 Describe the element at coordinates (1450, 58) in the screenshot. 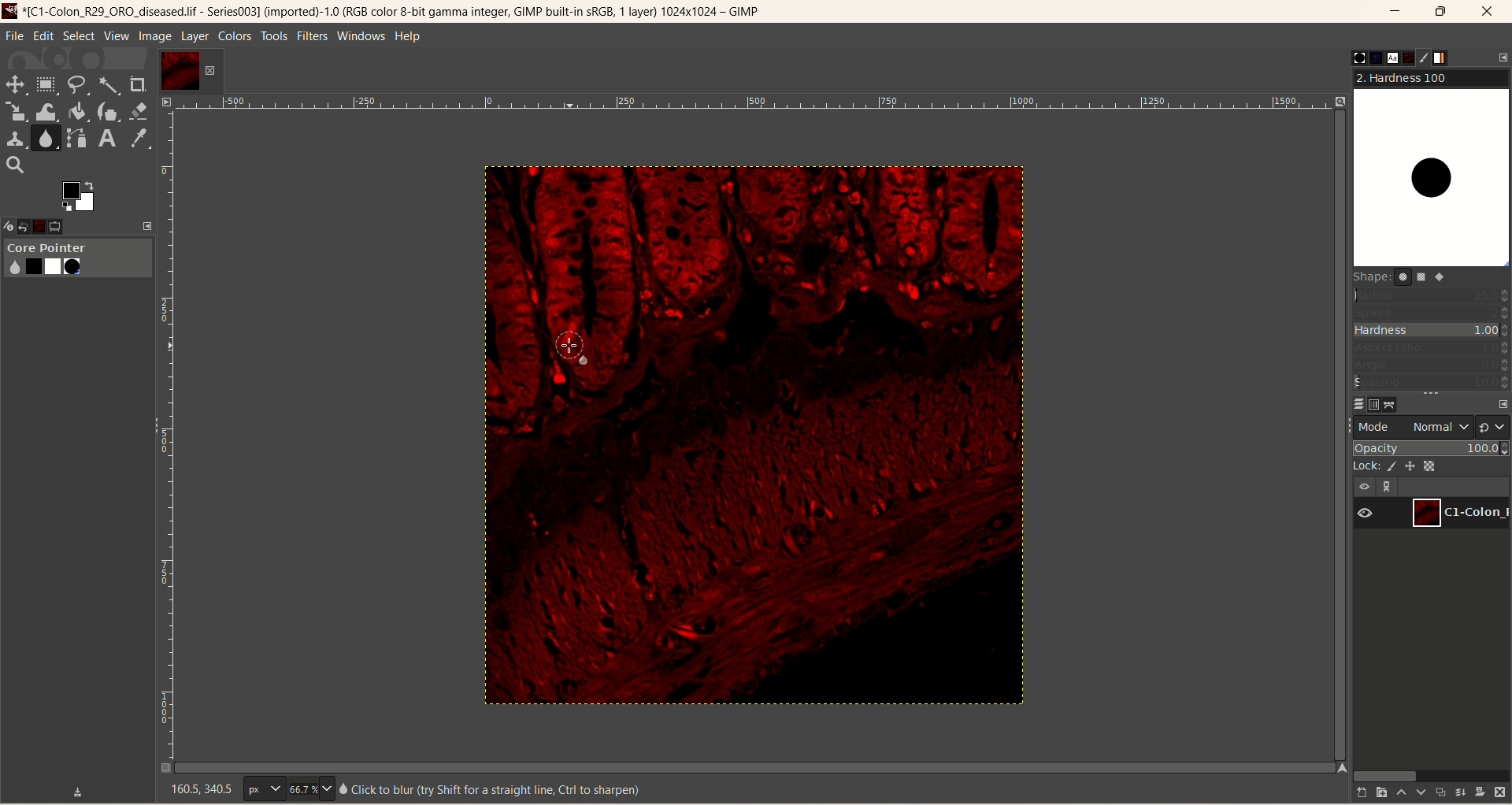

I see `gradient` at that location.